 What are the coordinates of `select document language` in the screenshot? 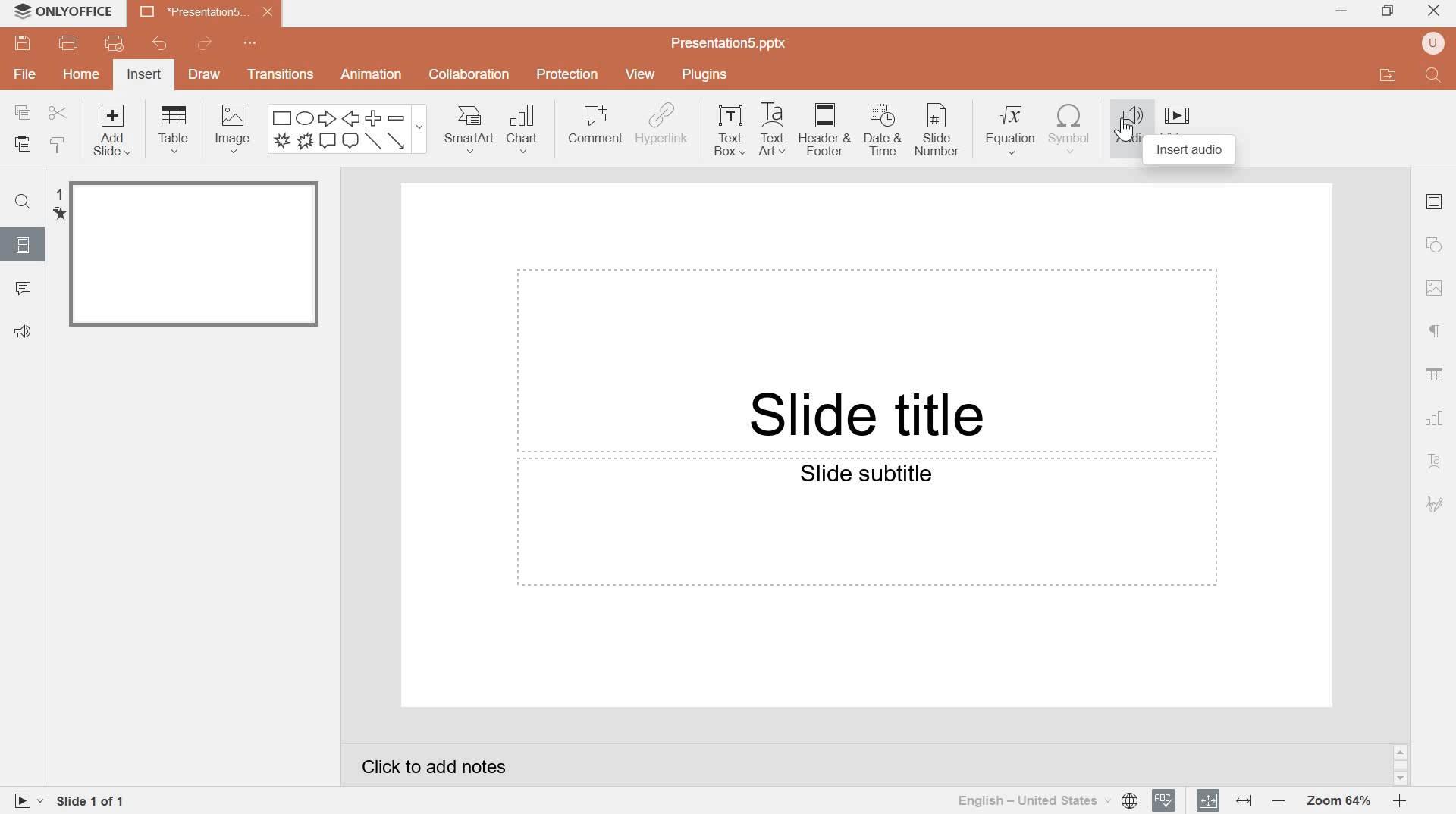 It's located at (1047, 800).